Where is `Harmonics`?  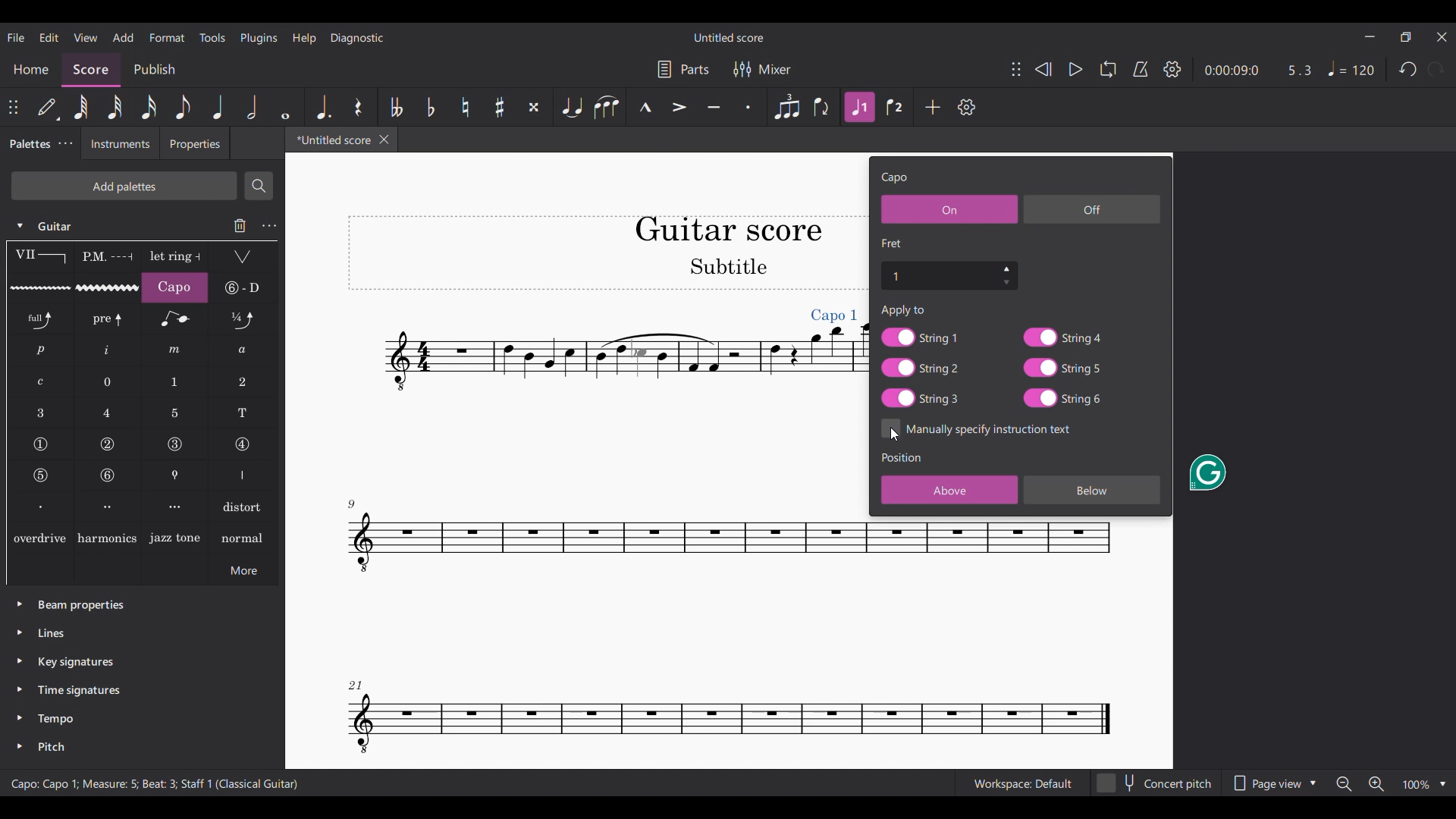 Harmonics is located at coordinates (107, 537).